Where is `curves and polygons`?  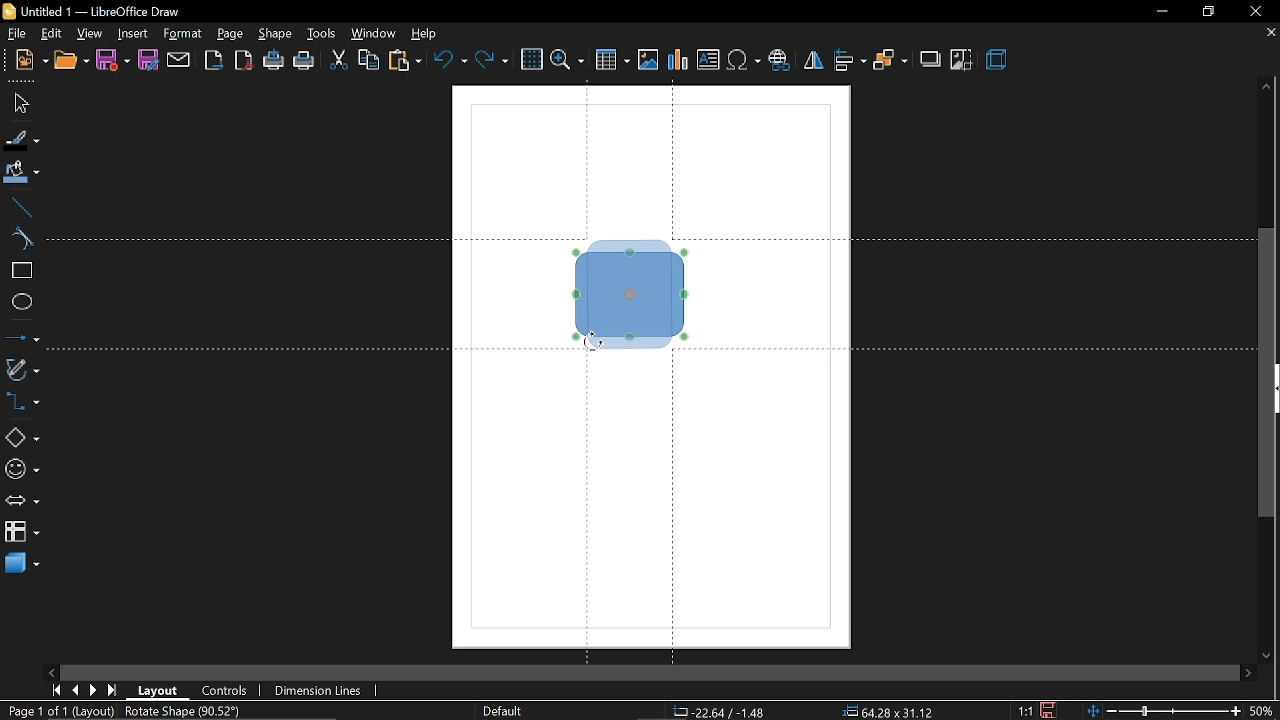
curves and polygons is located at coordinates (21, 370).